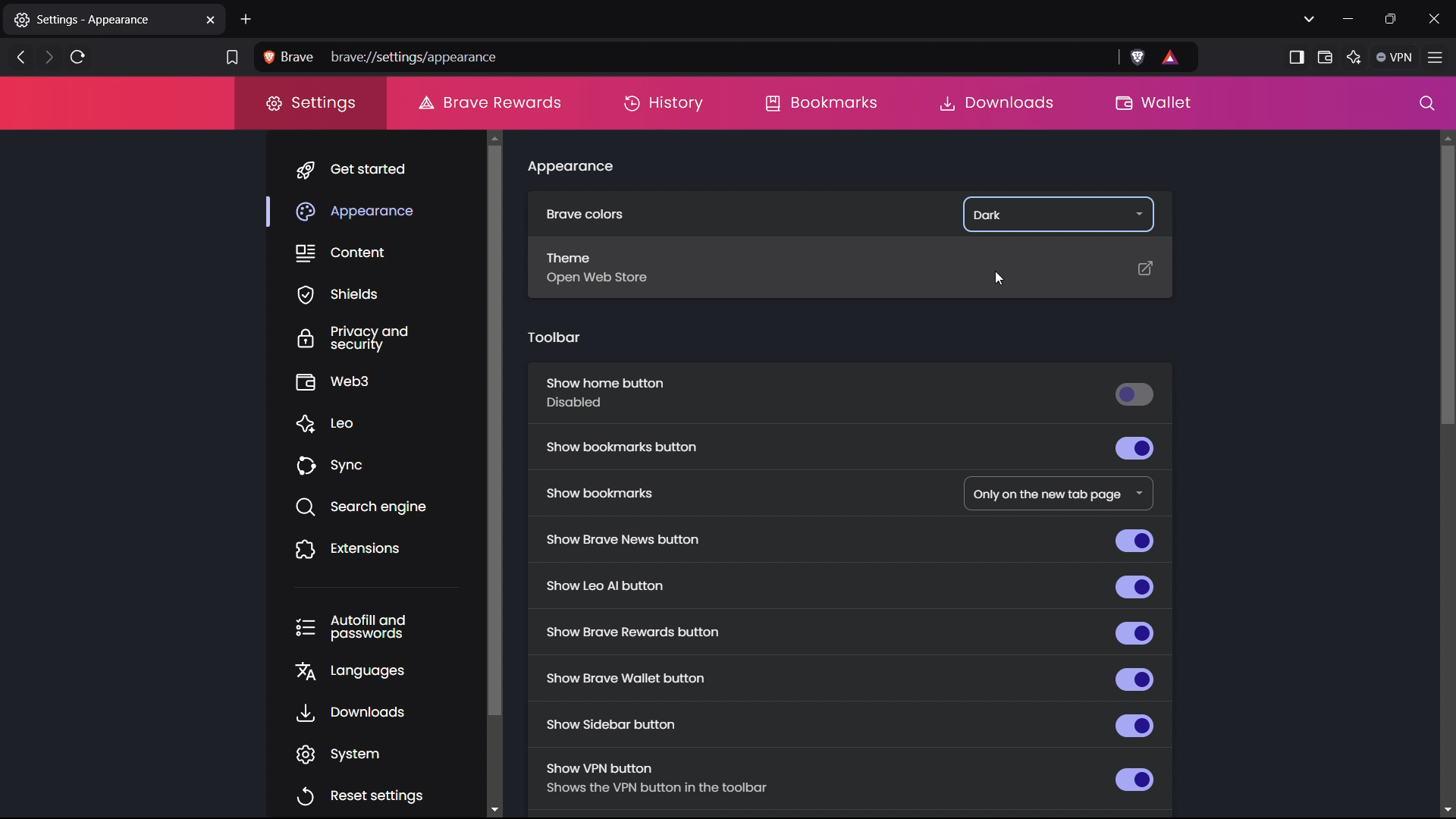 This screenshot has height=819, width=1456. I want to click on Theme Open Web store, so click(854, 265).